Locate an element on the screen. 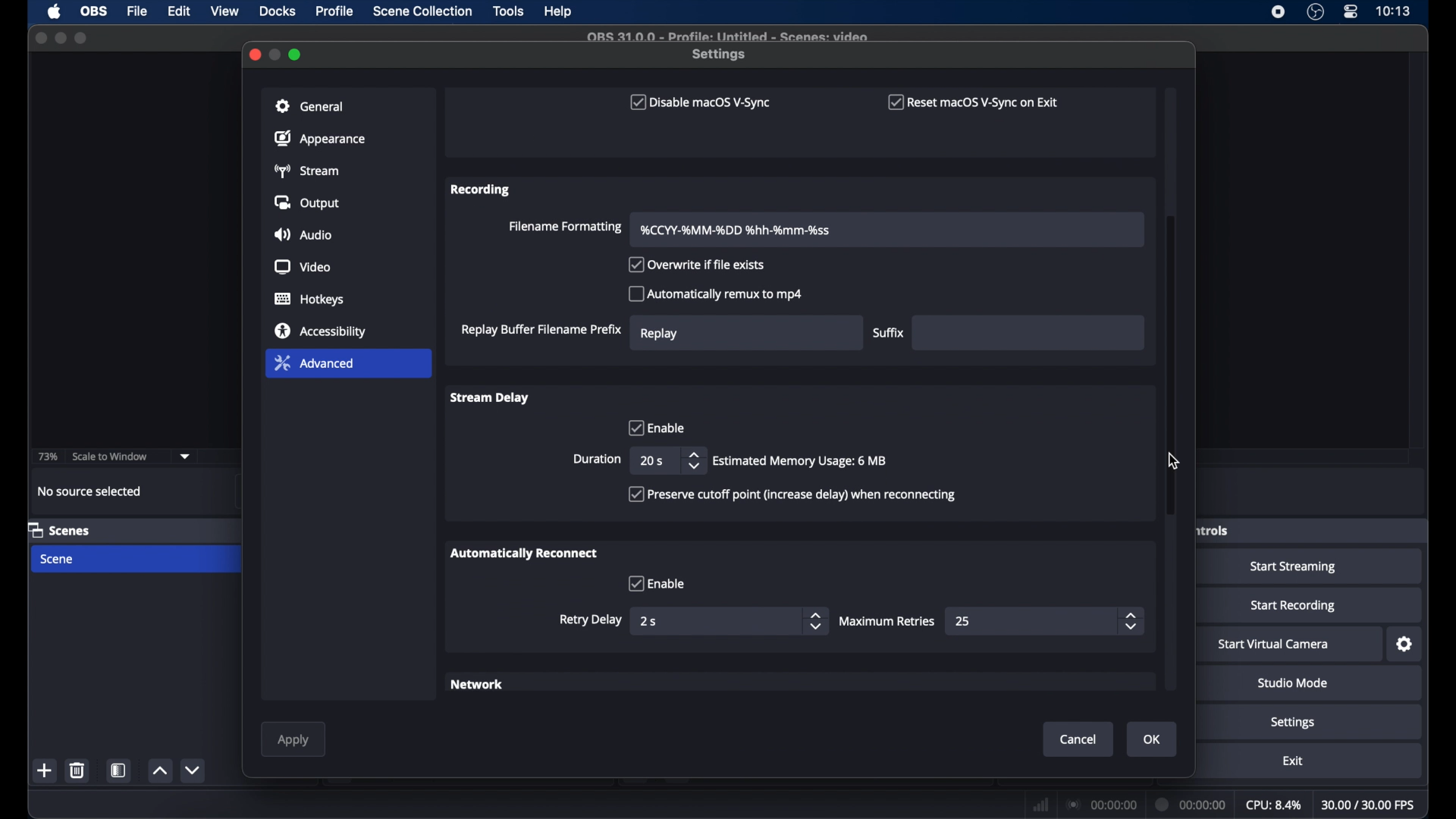  increment is located at coordinates (160, 771).